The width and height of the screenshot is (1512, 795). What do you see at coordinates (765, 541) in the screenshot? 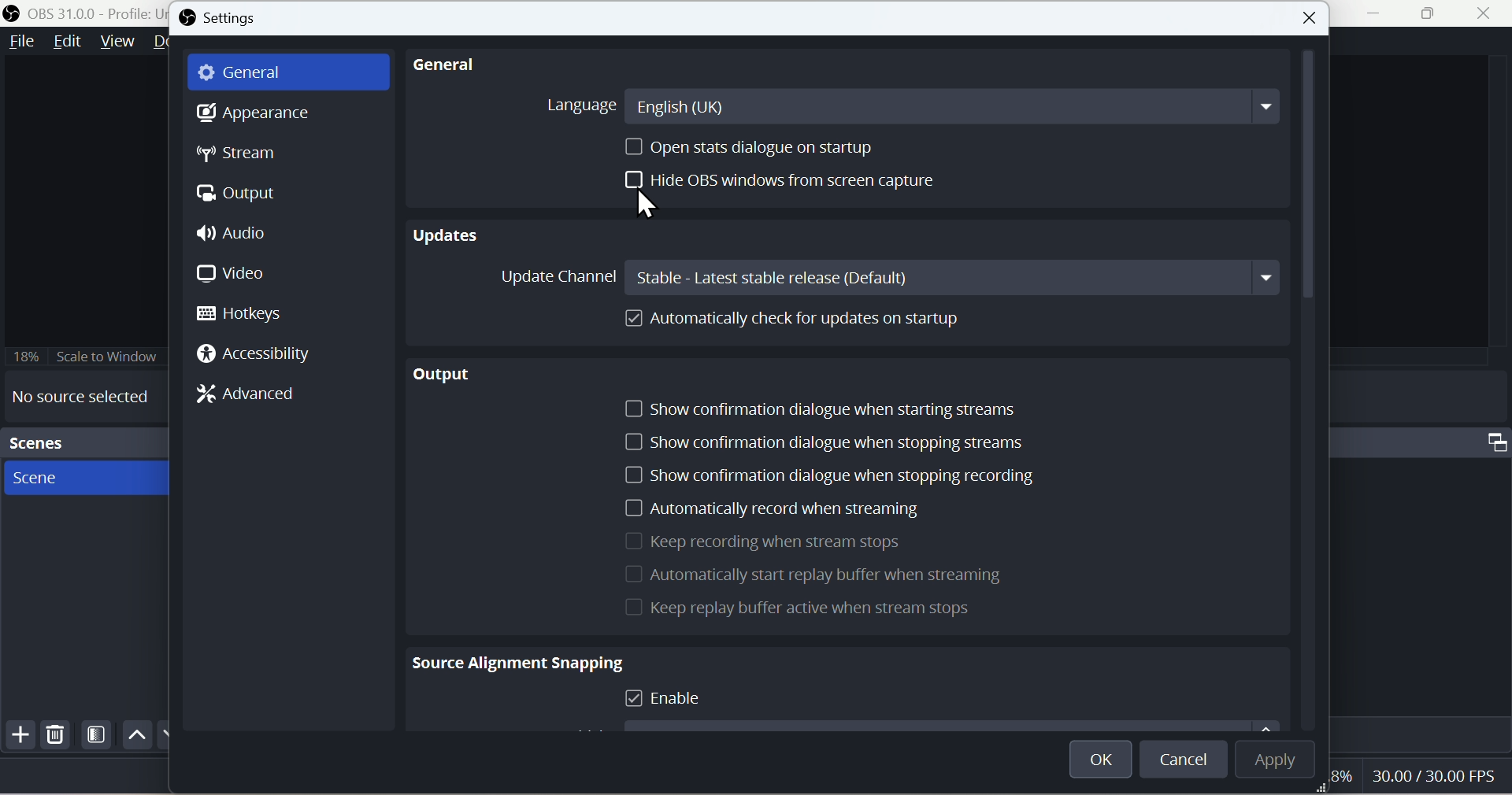
I see `Keep recording when it streams stops` at bounding box center [765, 541].